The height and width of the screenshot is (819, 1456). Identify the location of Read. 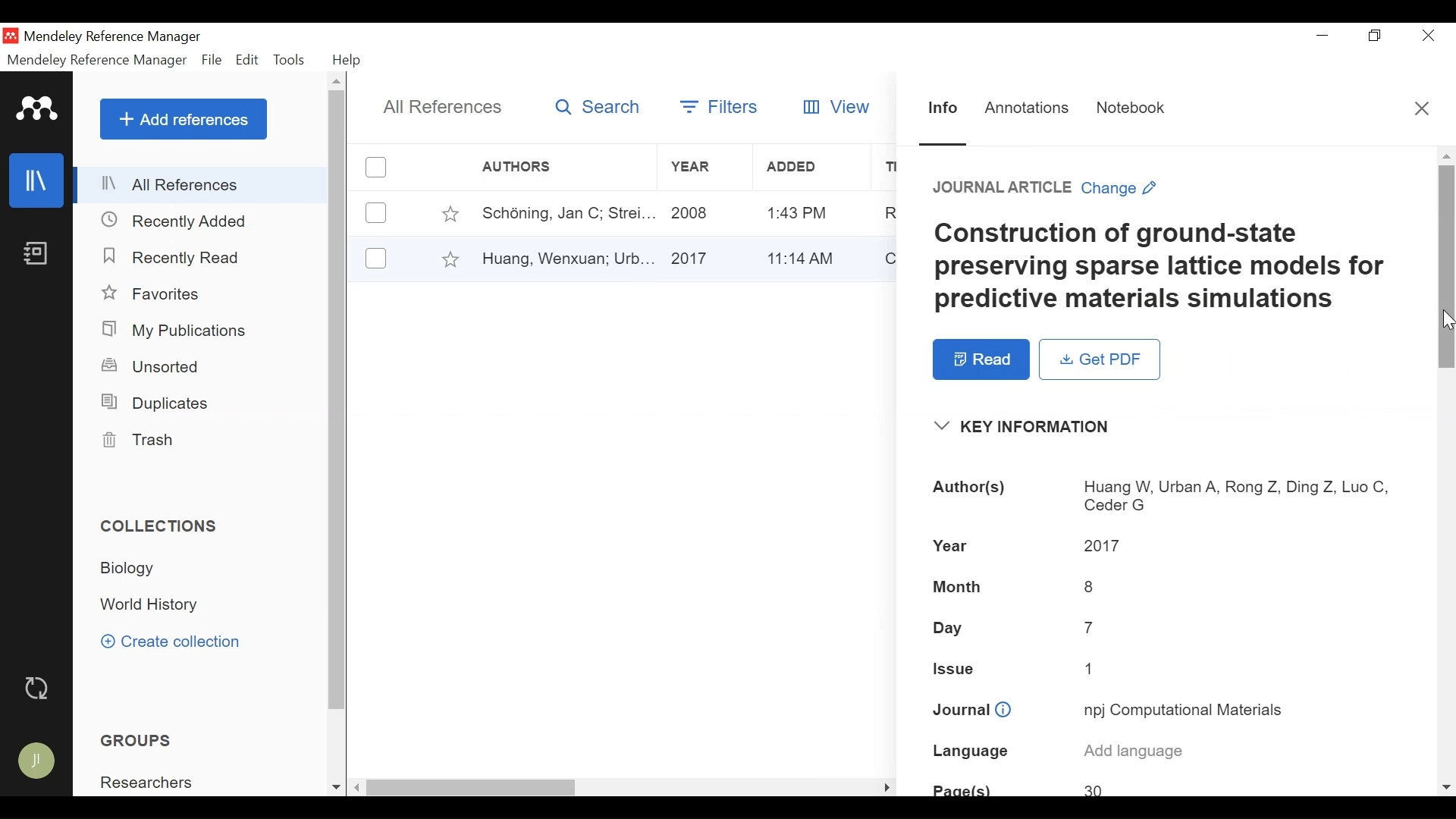
(981, 359).